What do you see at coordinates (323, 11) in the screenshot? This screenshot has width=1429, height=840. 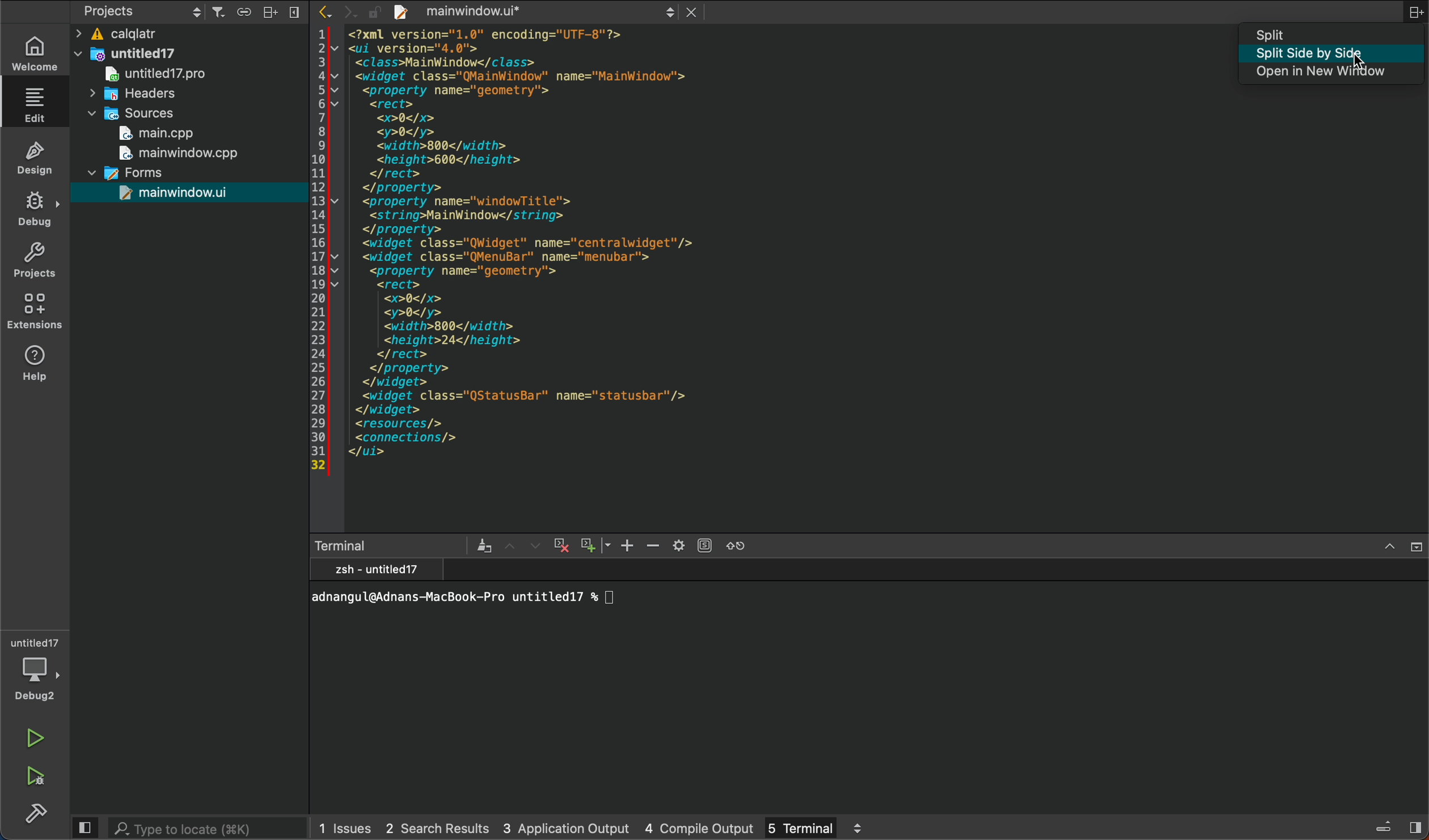 I see `go back` at bounding box center [323, 11].